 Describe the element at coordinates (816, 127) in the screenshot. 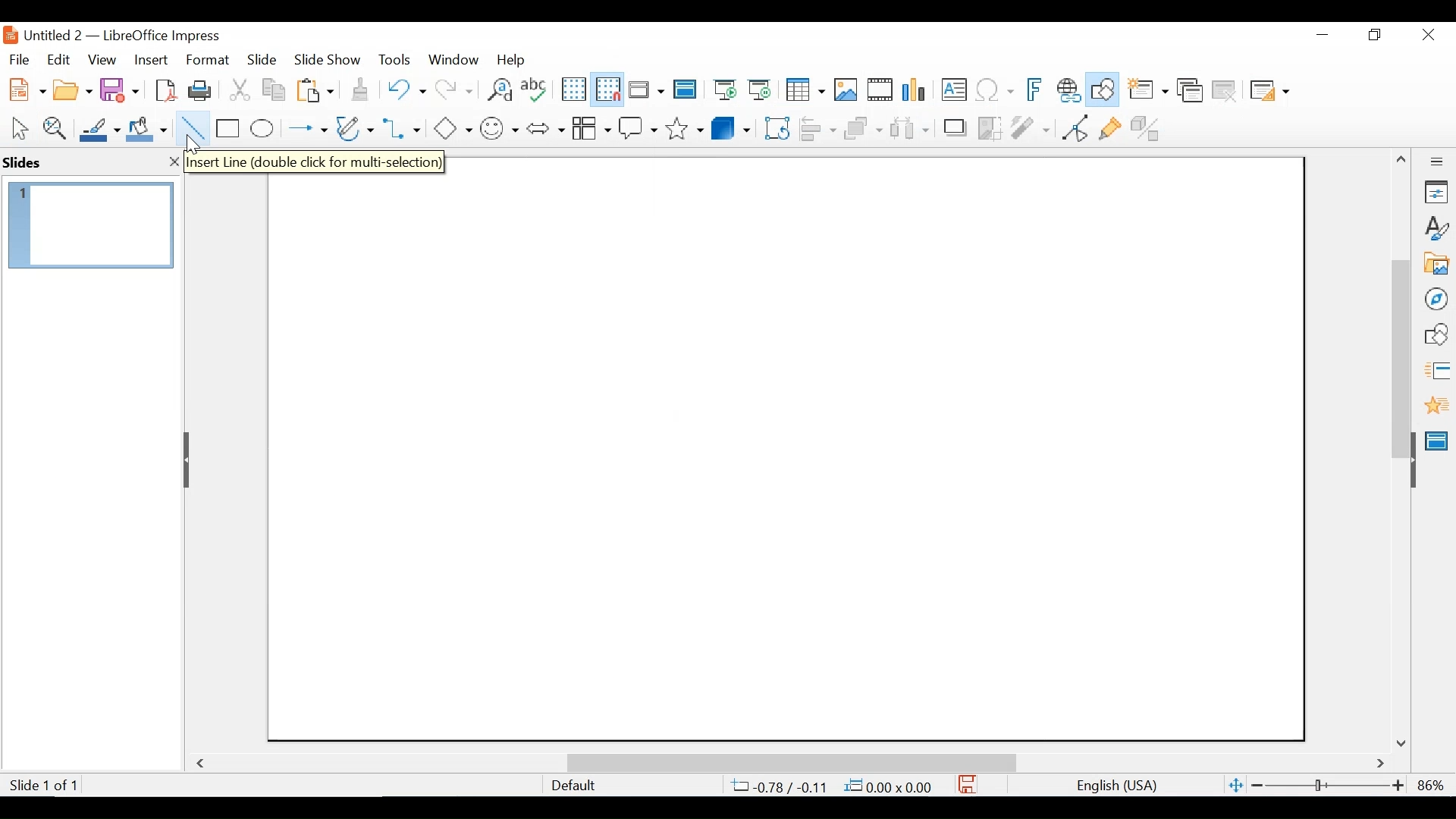

I see `Align Objects` at that location.